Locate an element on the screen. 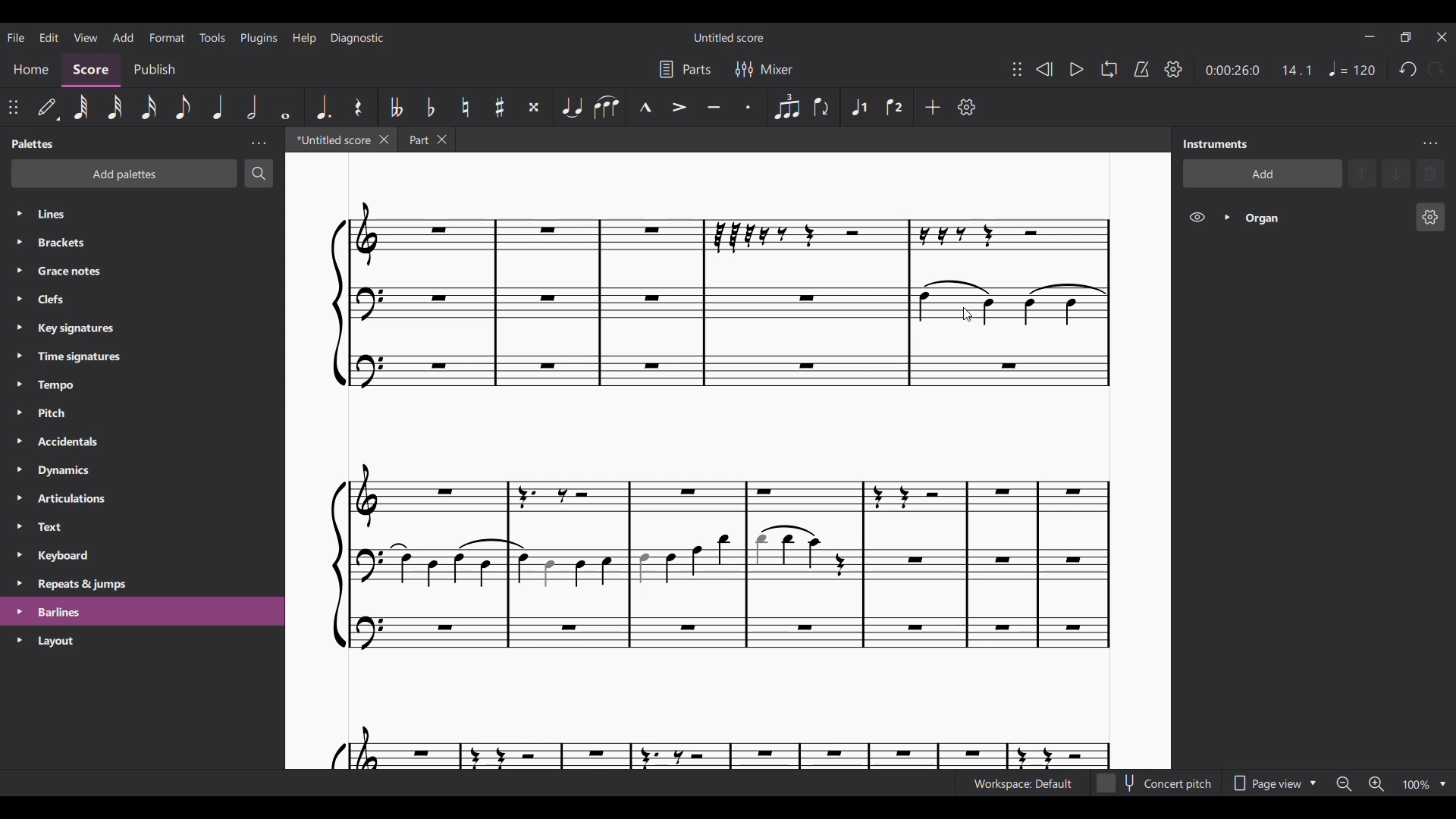 Image resolution: width=1456 pixels, height=819 pixels. Mixer settings is located at coordinates (766, 69).